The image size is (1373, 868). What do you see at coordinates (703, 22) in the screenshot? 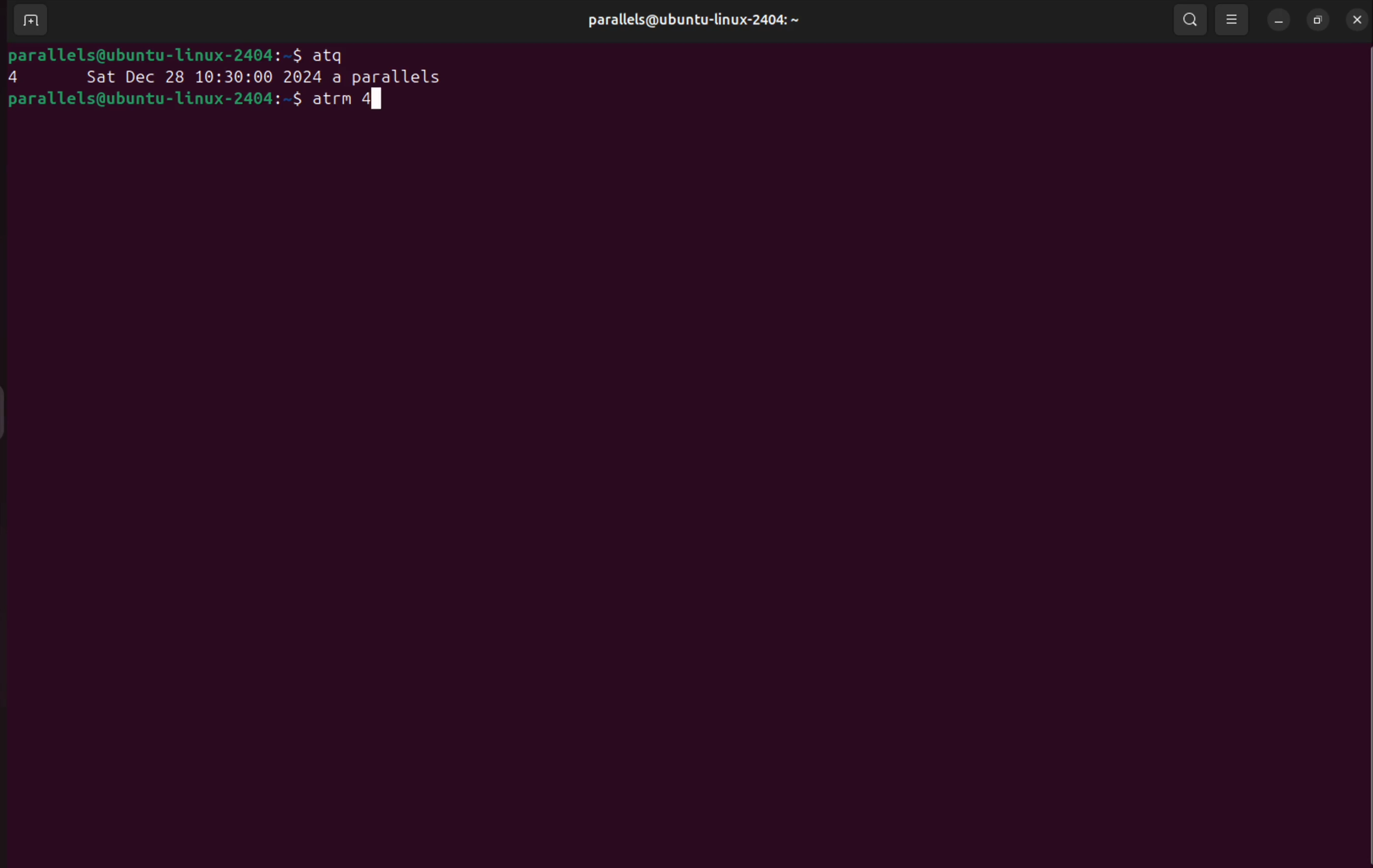
I see `parallels@ uer name` at bounding box center [703, 22].